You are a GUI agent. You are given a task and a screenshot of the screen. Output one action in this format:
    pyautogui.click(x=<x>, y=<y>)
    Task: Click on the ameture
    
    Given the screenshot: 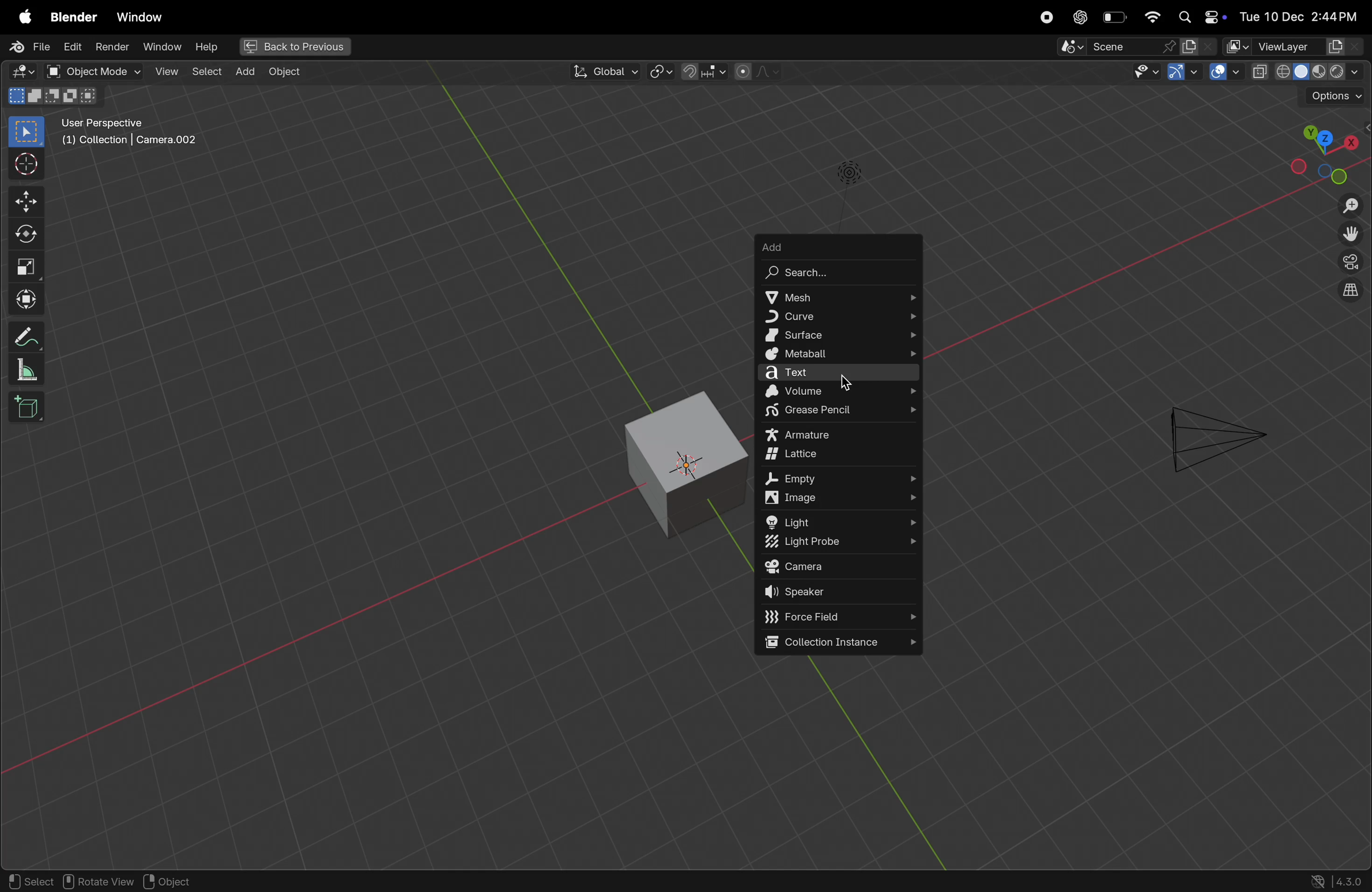 What is the action you would take?
    pyautogui.click(x=837, y=435)
    